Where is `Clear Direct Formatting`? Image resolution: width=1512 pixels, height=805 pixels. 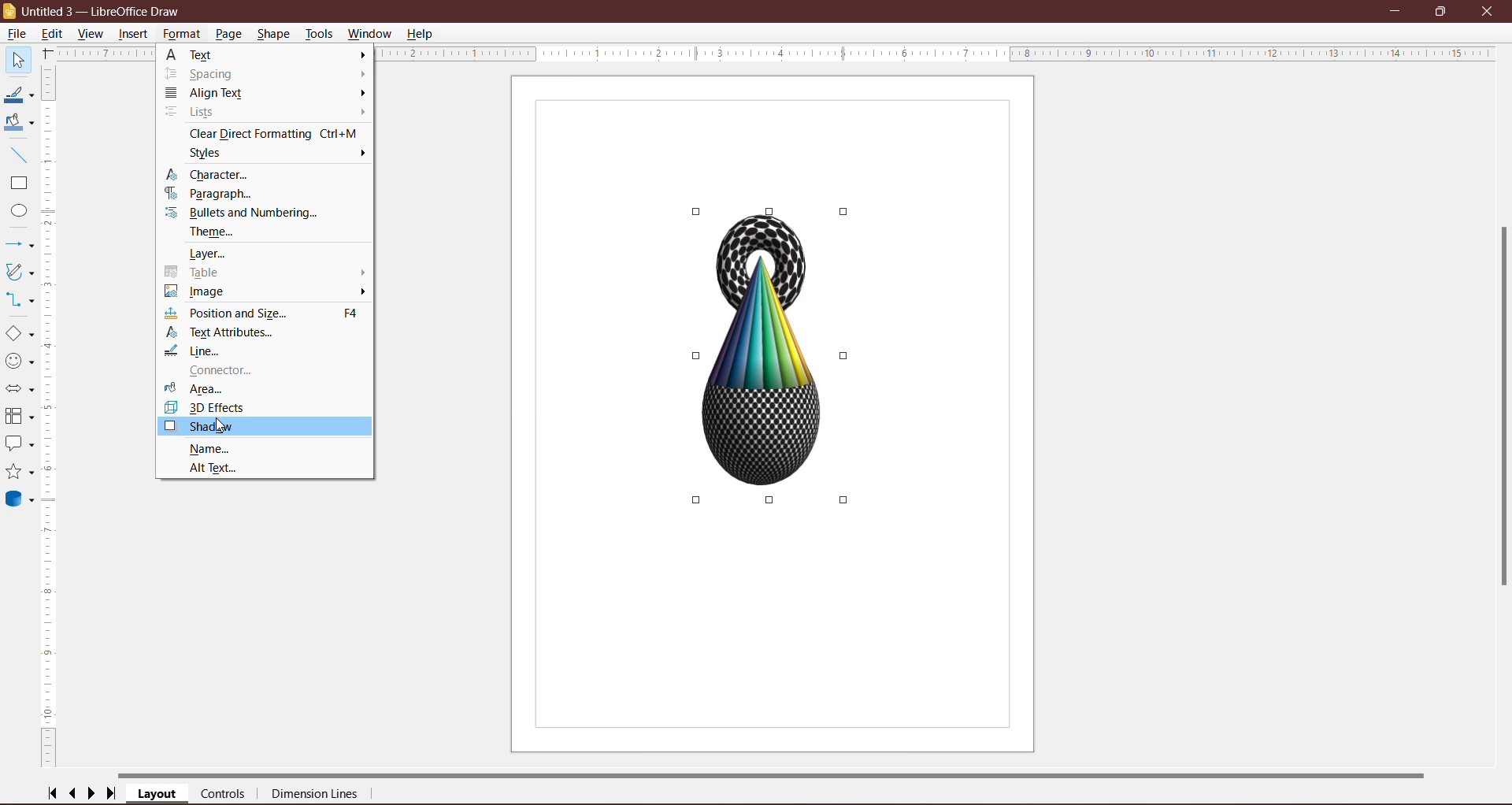
Clear Direct Formatting is located at coordinates (272, 133).